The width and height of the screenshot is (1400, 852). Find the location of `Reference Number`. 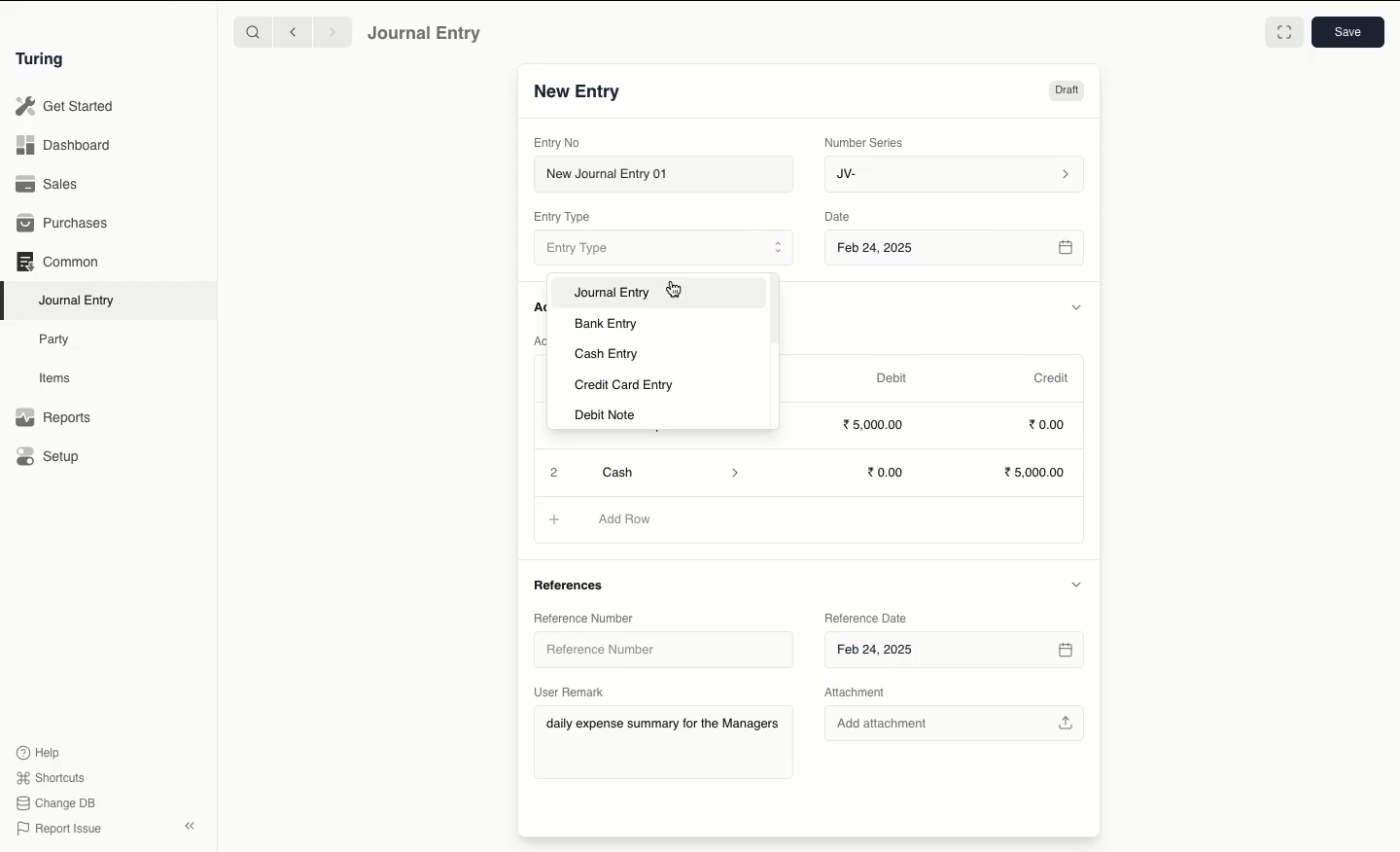

Reference Number is located at coordinates (651, 648).